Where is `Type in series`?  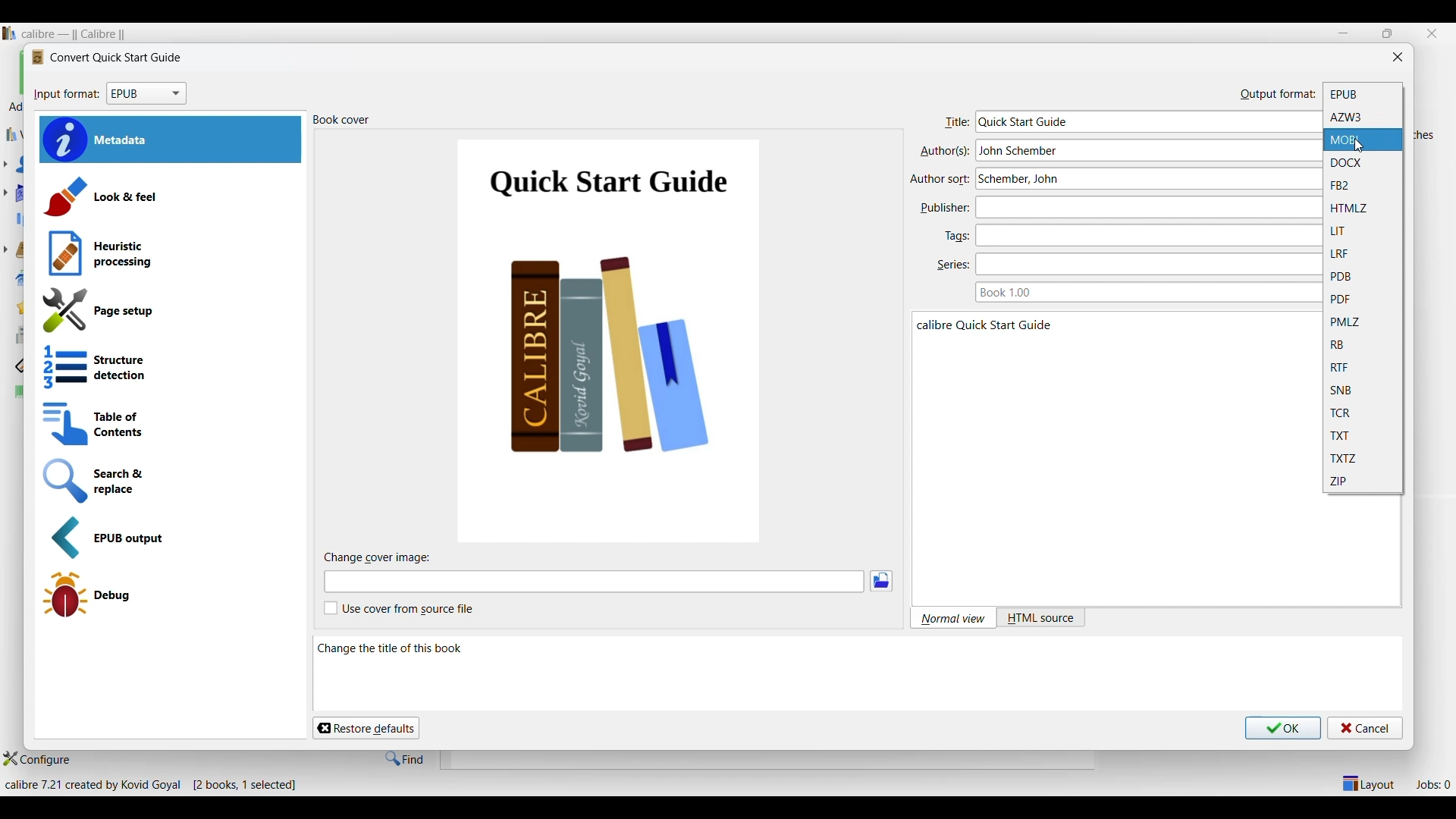 Type in series is located at coordinates (1144, 265).